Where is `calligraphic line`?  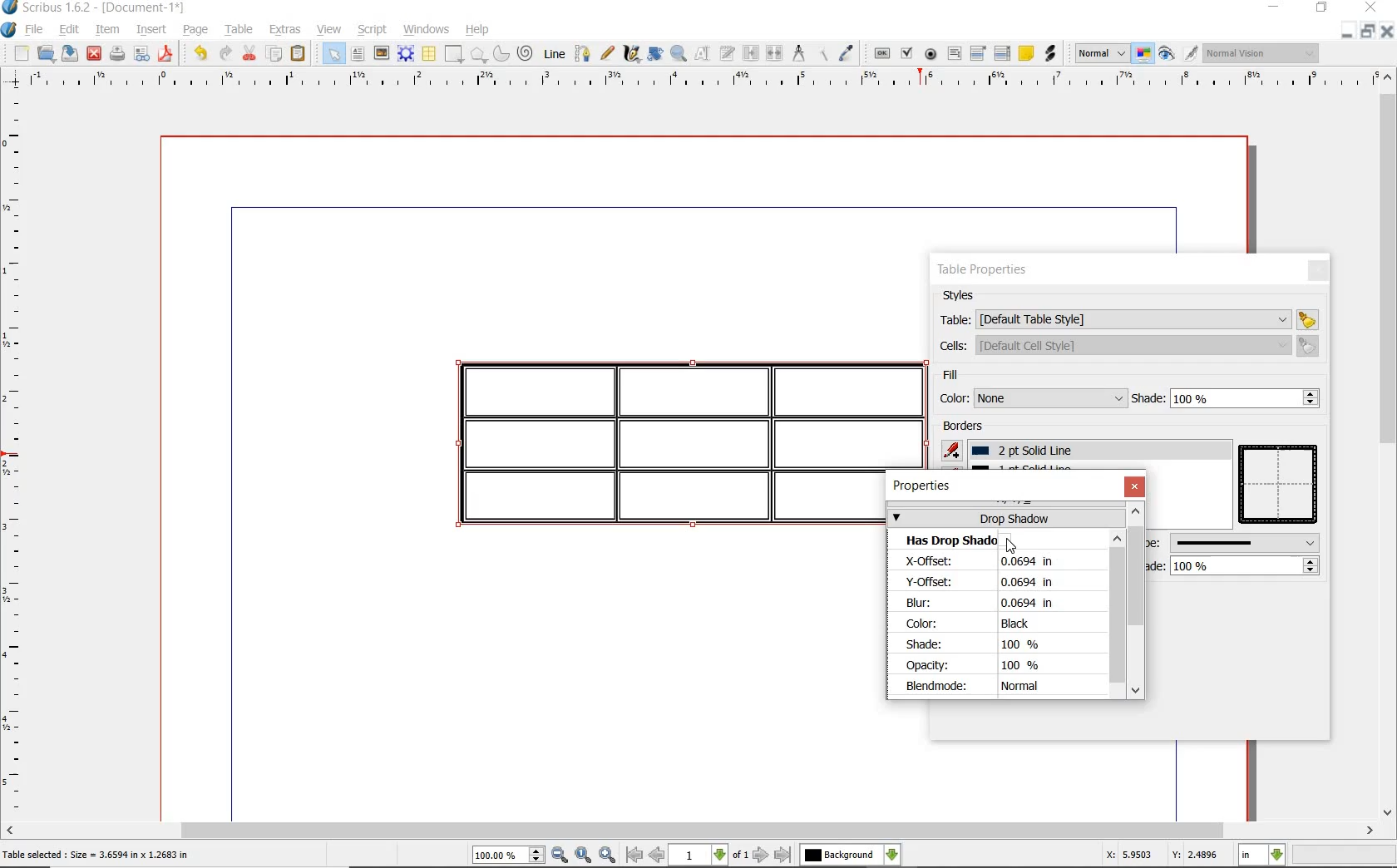
calligraphic line is located at coordinates (630, 53).